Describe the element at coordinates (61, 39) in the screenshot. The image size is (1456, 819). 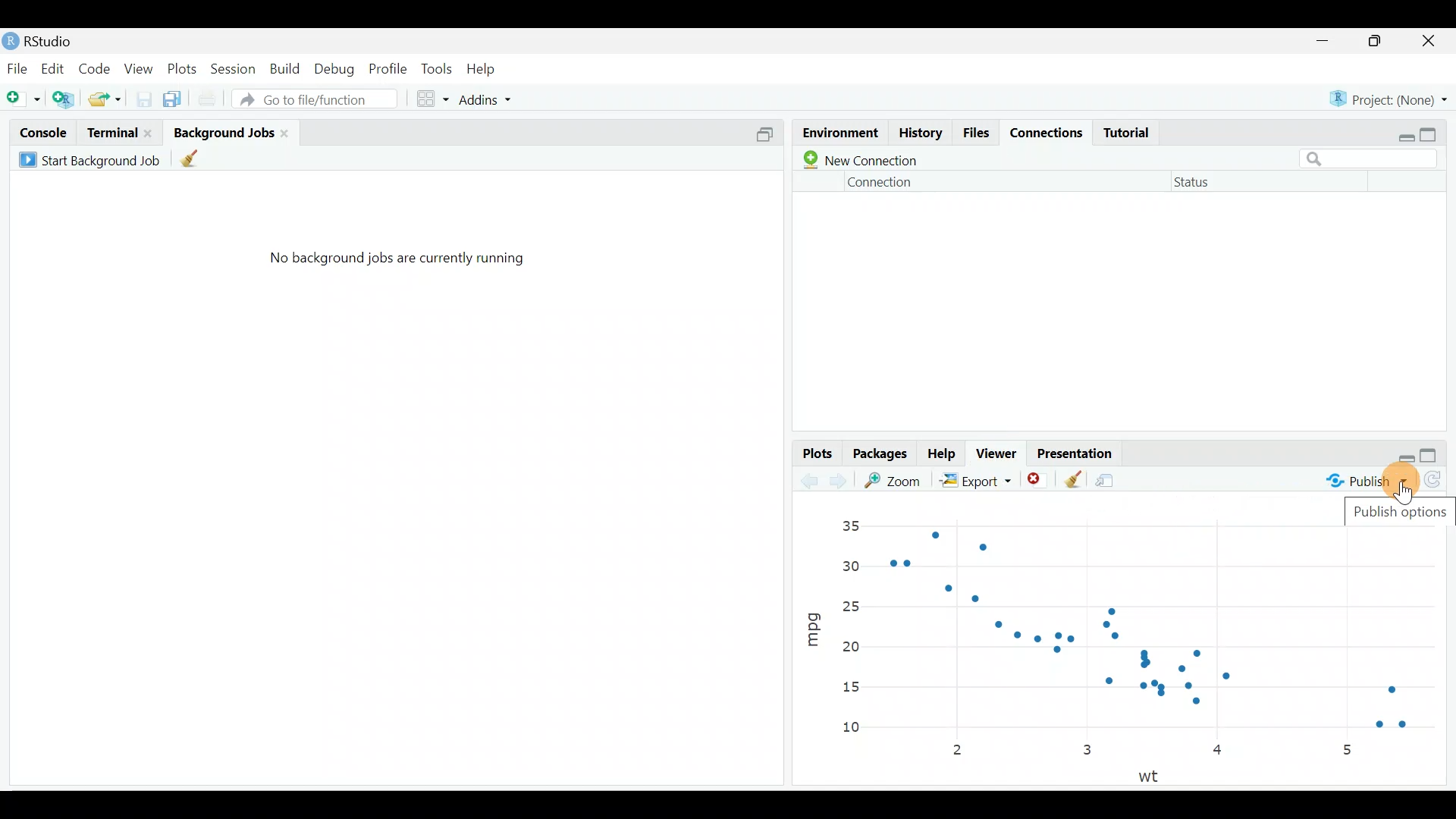
I see `RStudio` at that location.